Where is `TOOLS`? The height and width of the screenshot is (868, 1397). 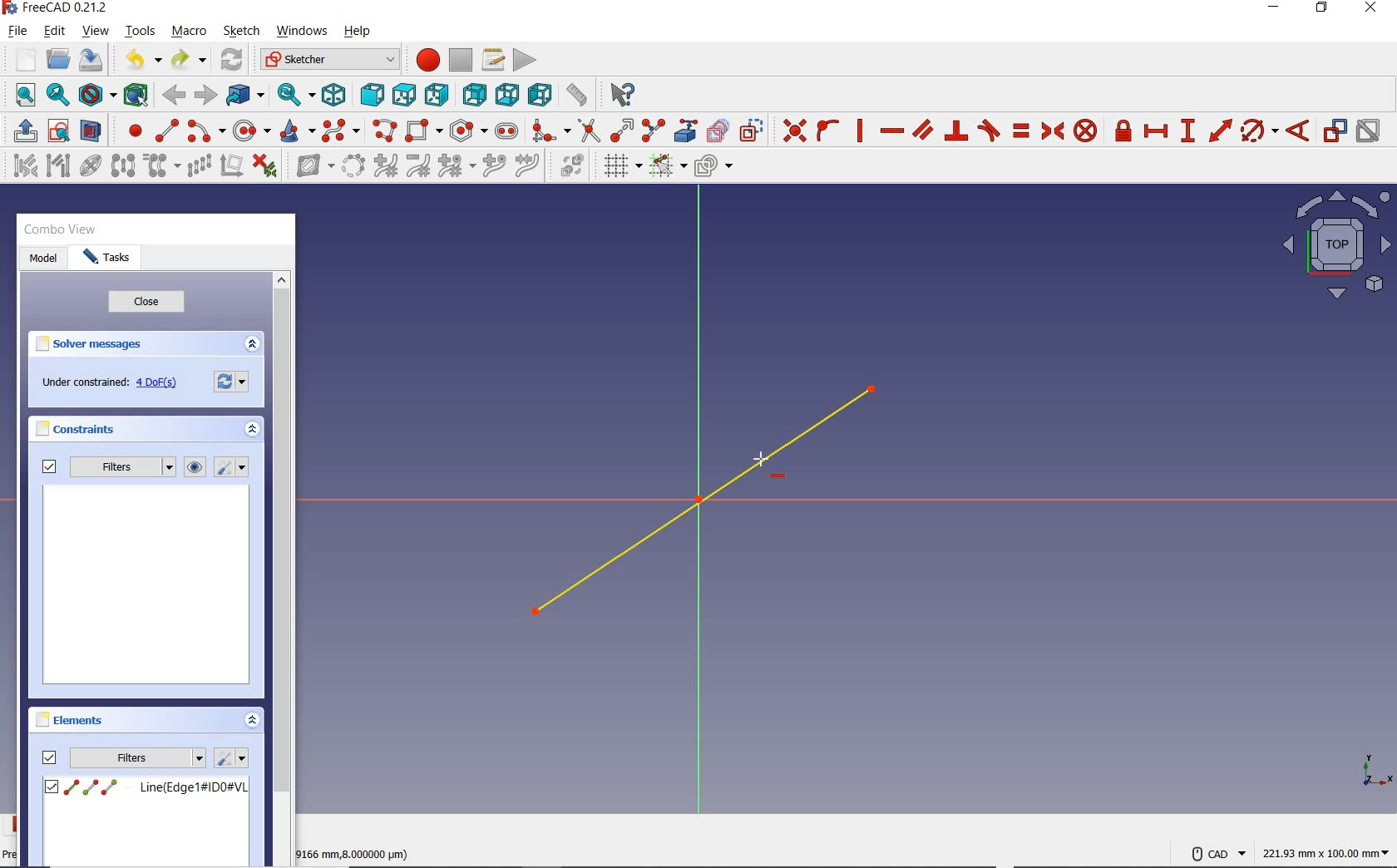 TOOLS is located at coordinates (141, 31).